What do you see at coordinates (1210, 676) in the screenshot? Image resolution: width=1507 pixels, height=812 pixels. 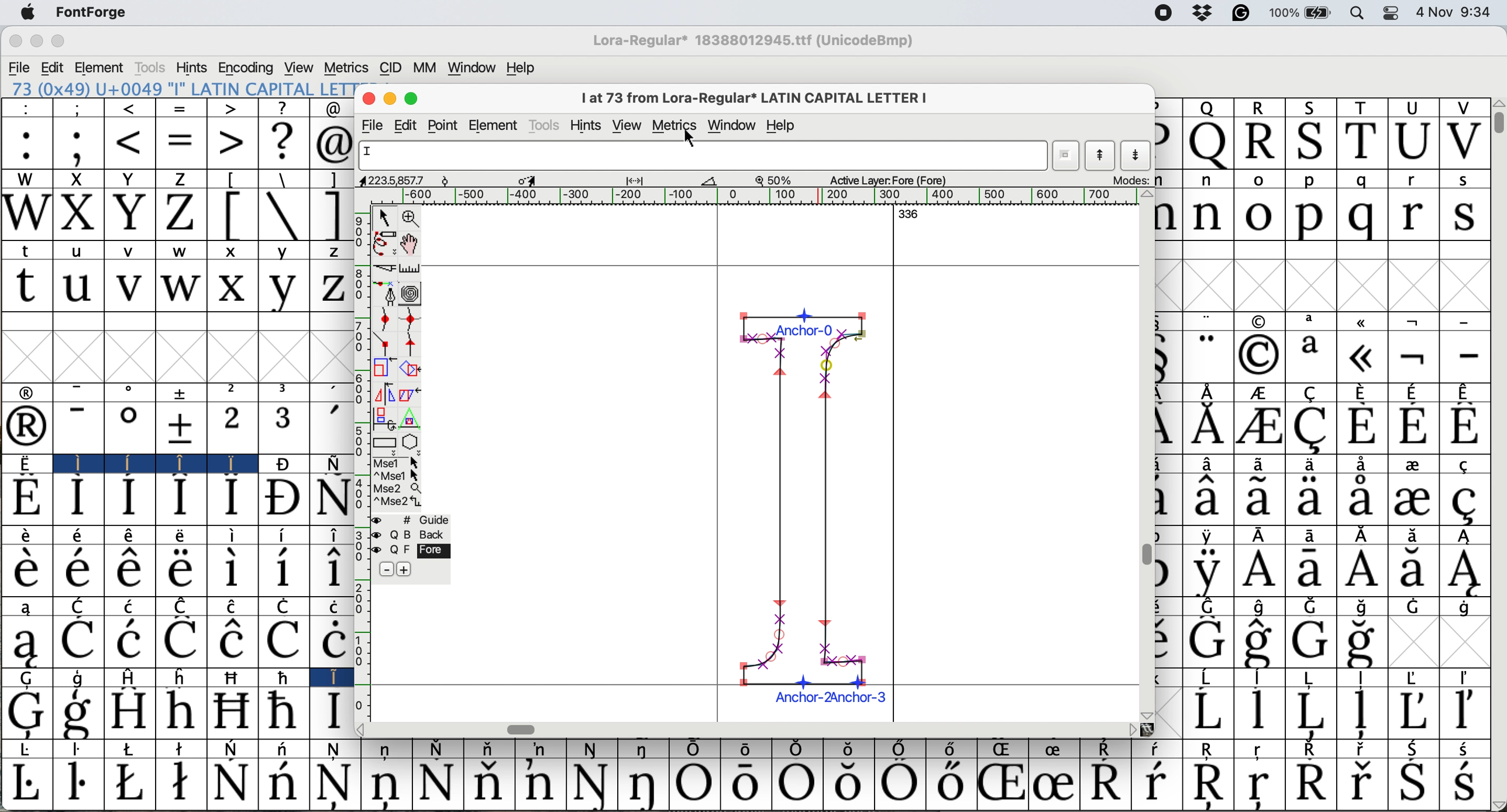 I see `Symbol` at bounding box center [1210, 676].